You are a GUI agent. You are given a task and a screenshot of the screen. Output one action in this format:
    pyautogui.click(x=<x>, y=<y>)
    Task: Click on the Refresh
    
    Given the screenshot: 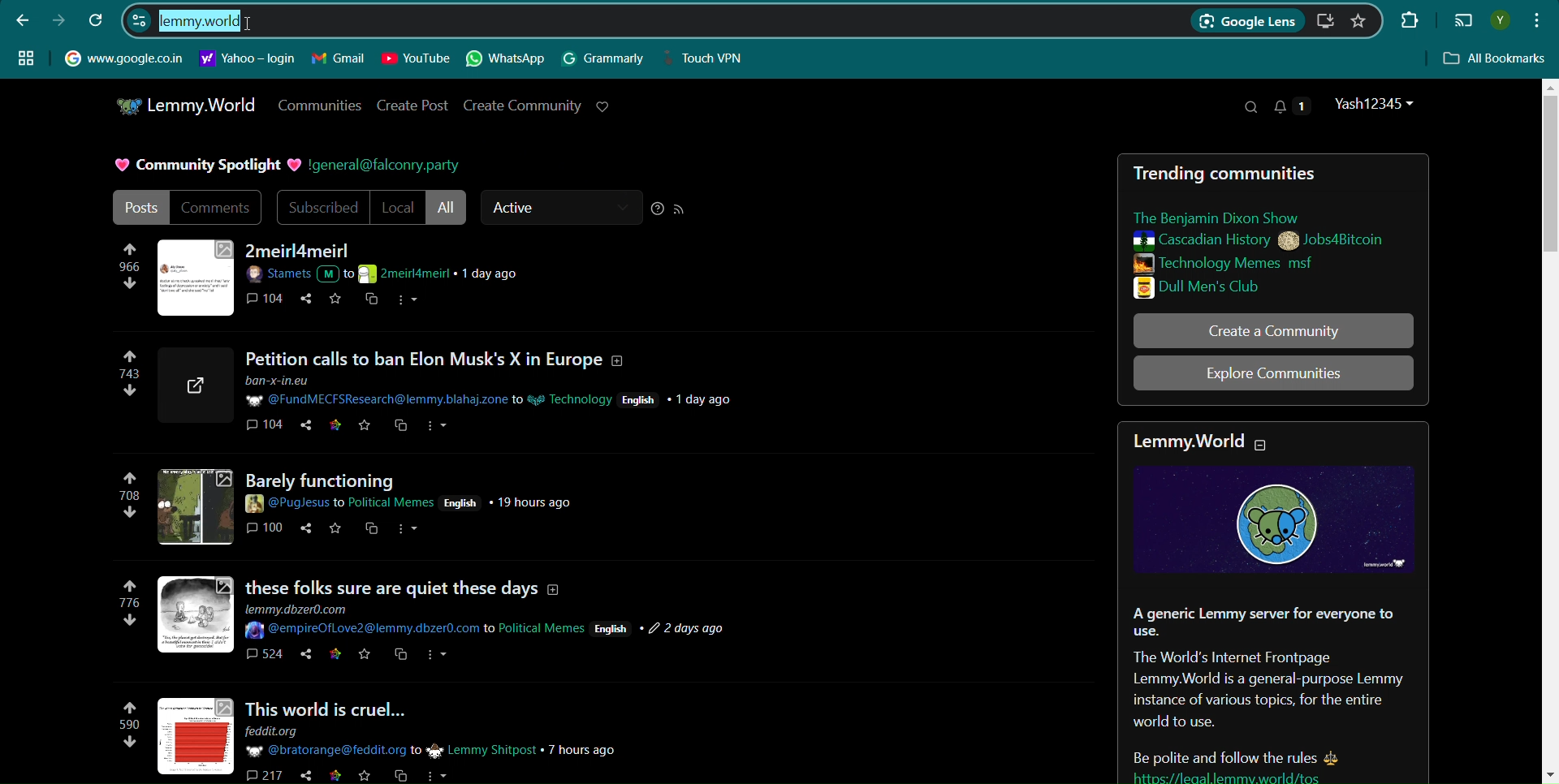 What is the action you would take?
    pyautogui.click(x=97, y=19)
    